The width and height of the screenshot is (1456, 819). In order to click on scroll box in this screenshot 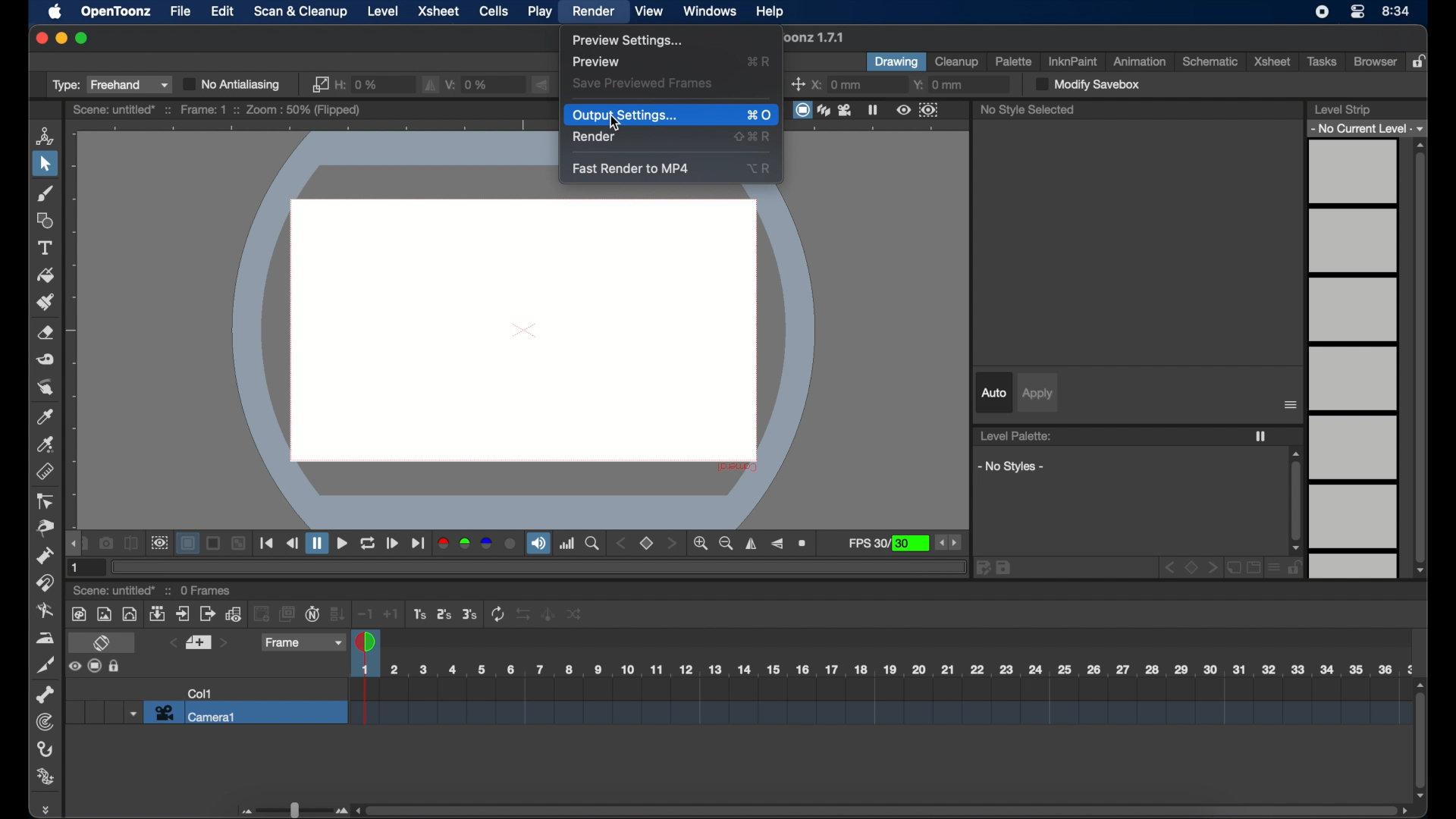, I will do `click(883, 809)`.